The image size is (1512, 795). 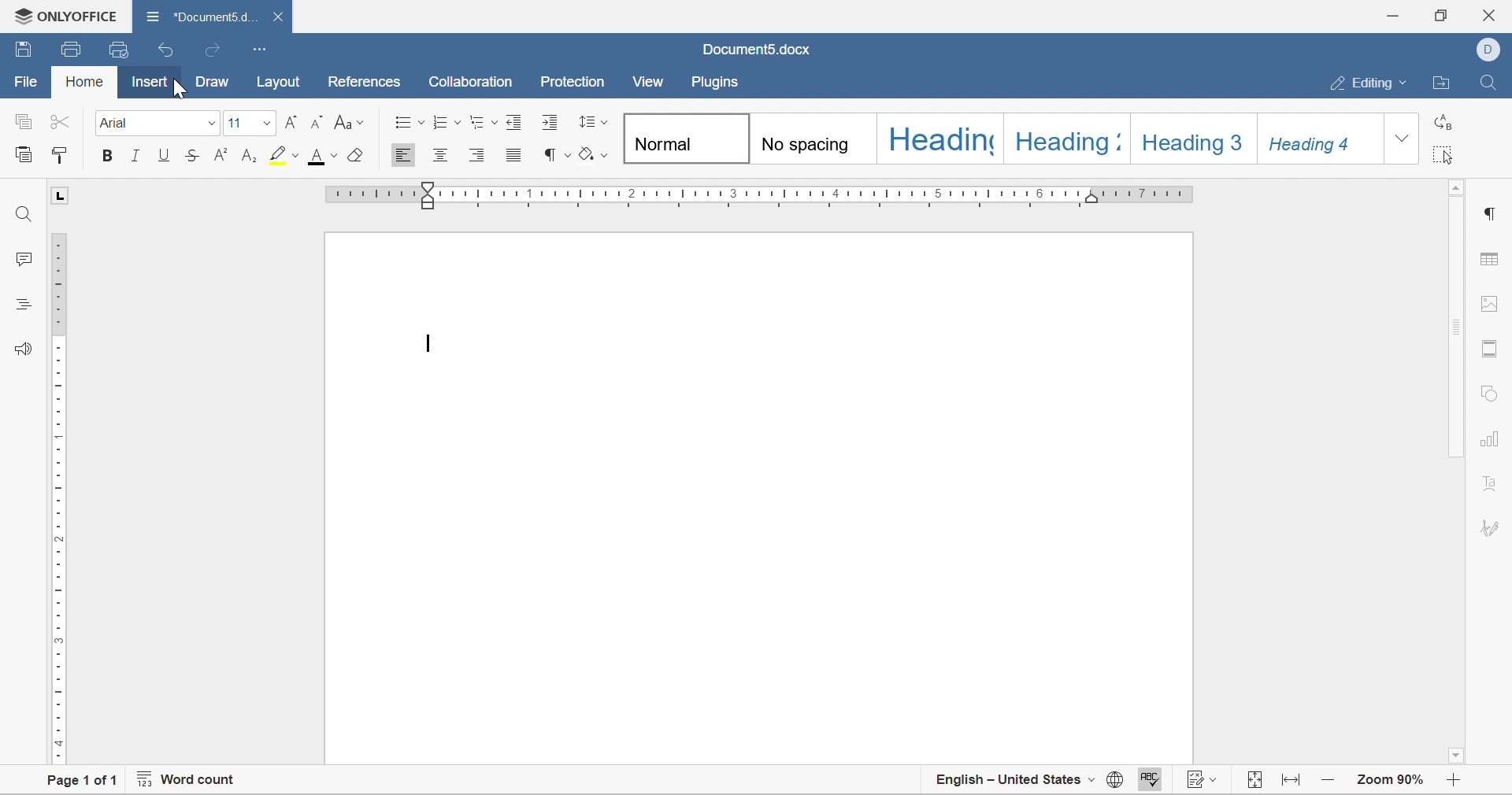 What do you see at coordinates (1493, 439) in the screenshot?
I see `chart settings` at bounding box center [1493, 439].